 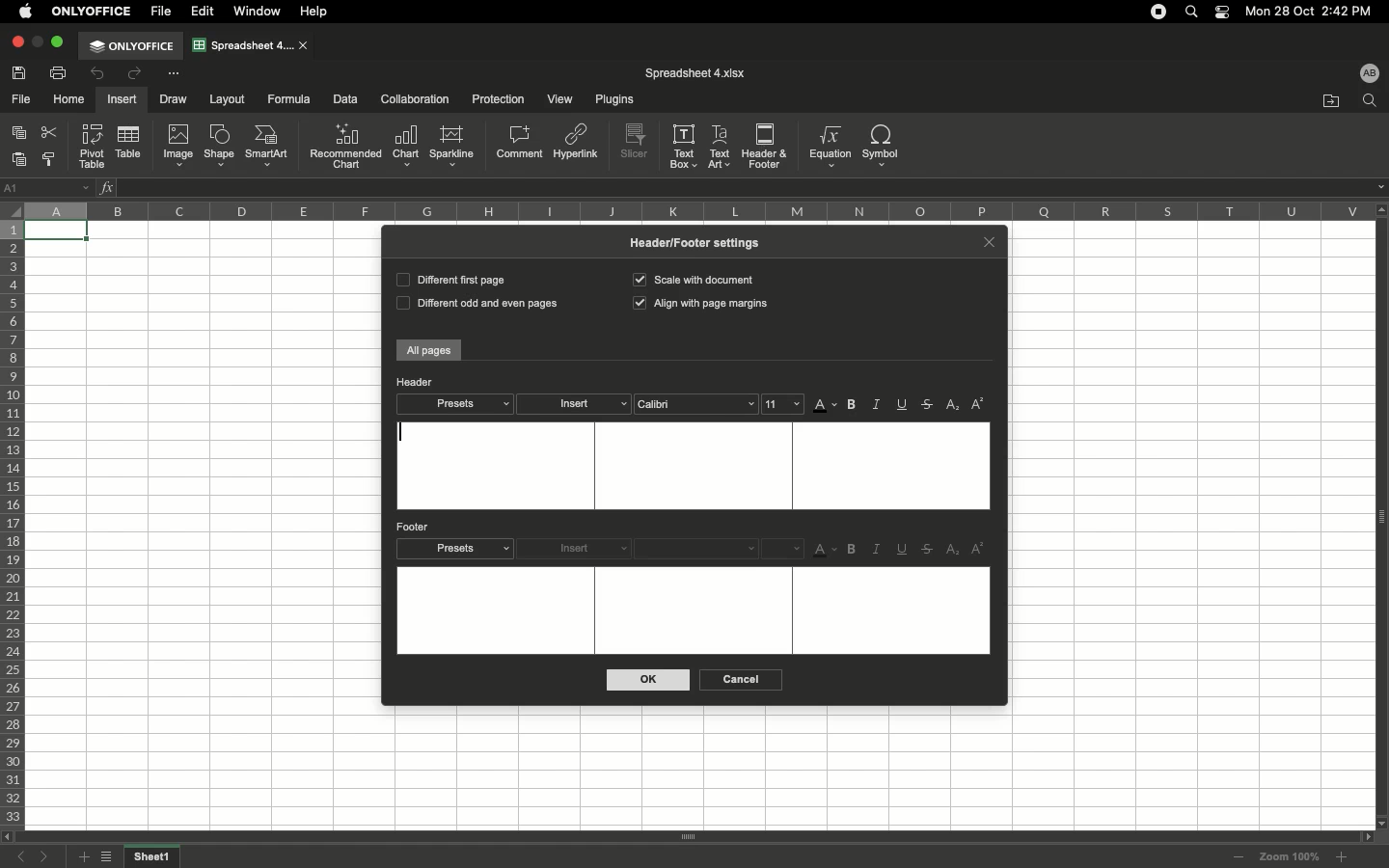 I want to click on Formula, so click(x=286, y=98).